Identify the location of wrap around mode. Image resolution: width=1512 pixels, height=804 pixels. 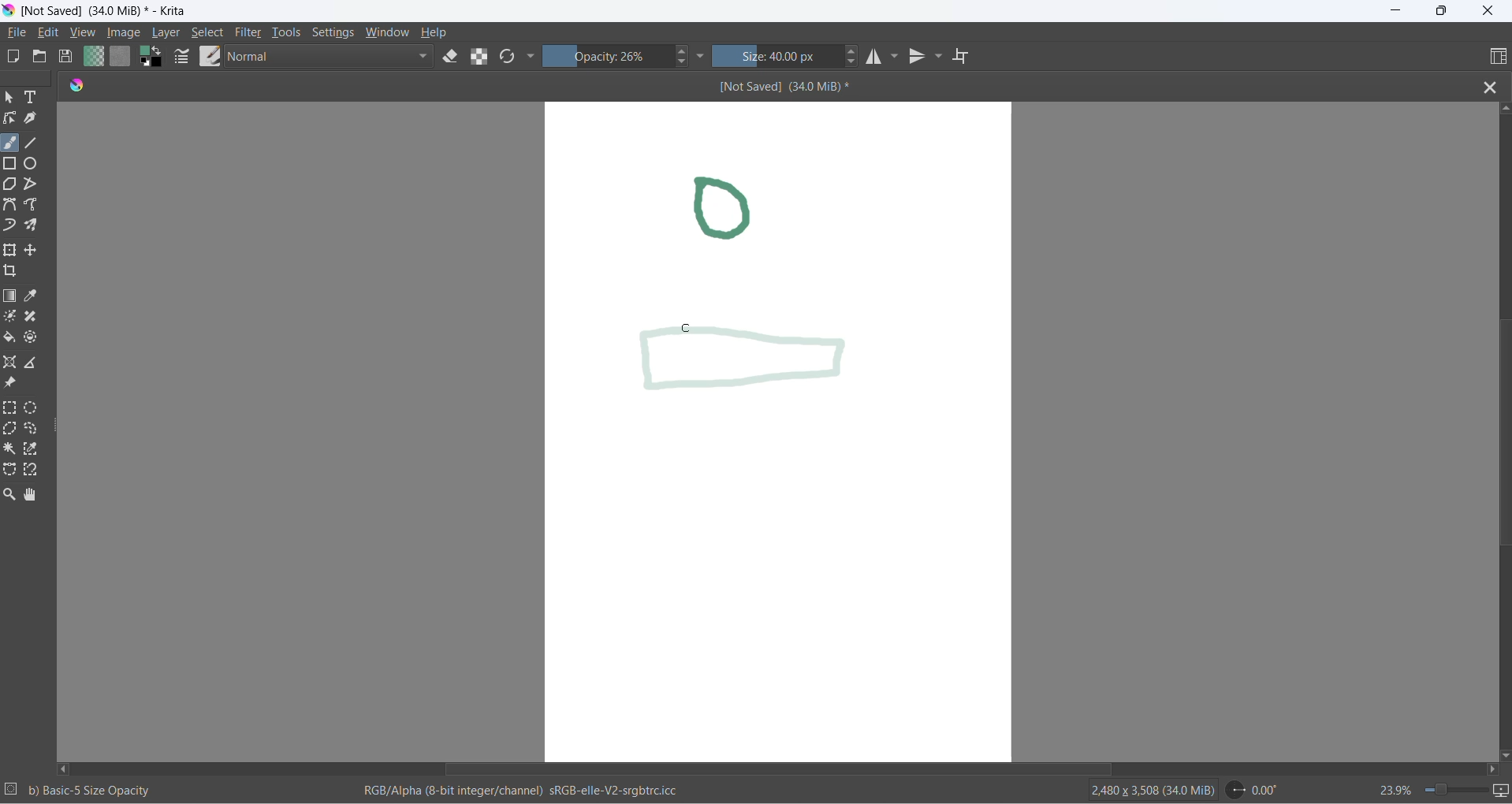
(968, 56).